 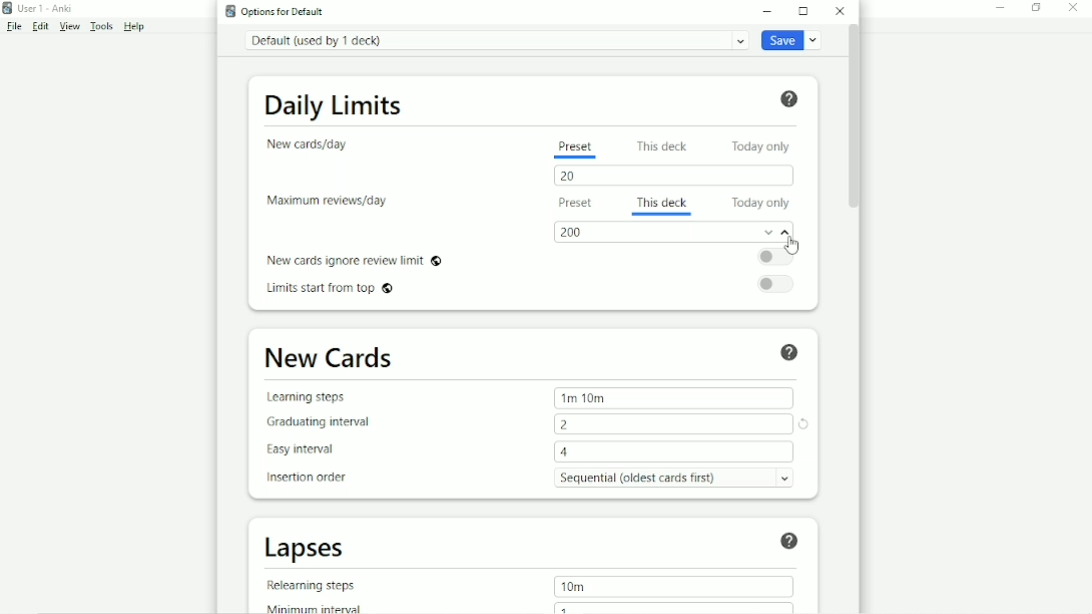 I want to click on Minimum interval, so click(x=320, y=607).